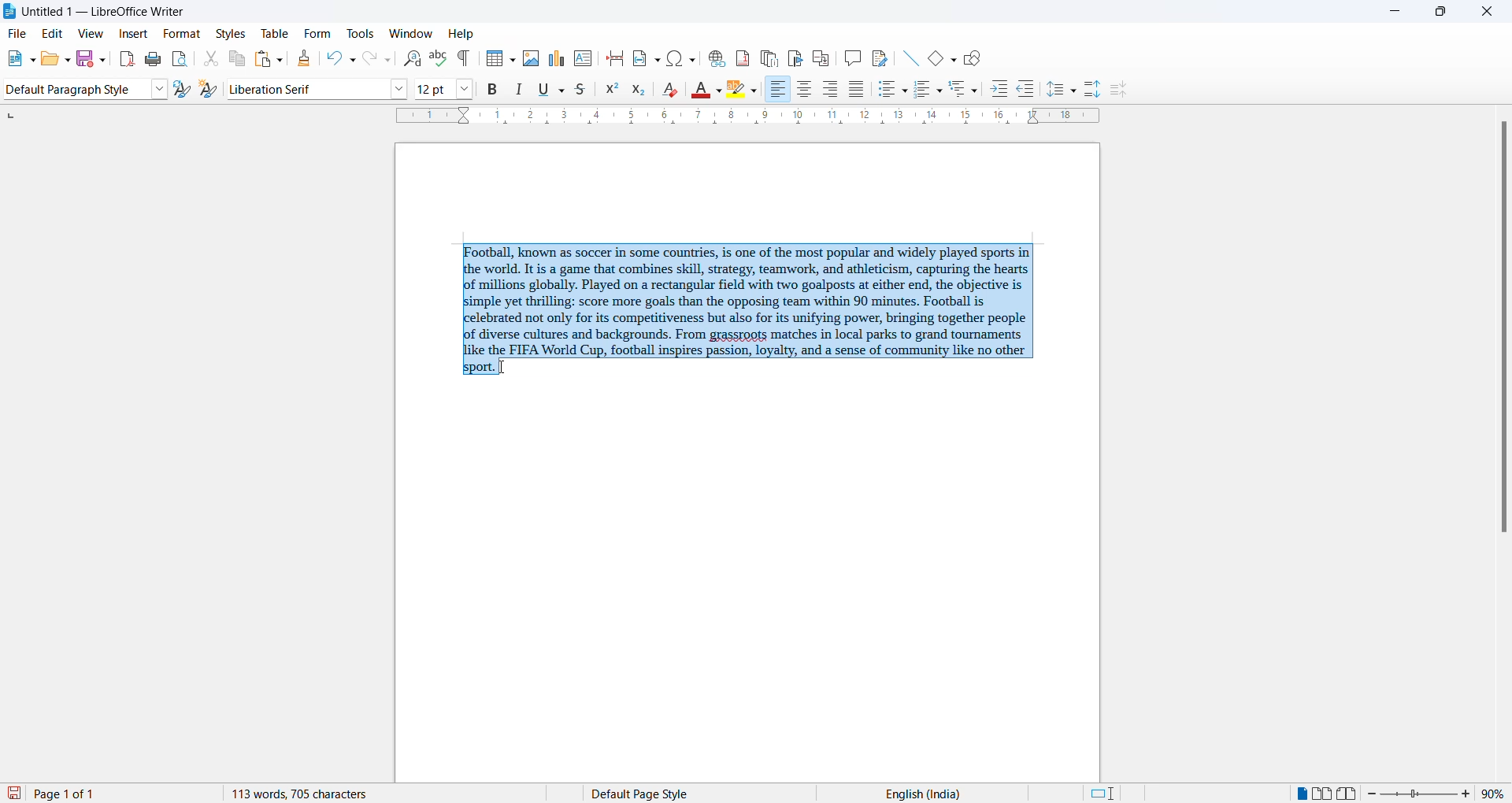 This screenshot has height=803, width=1512. What do you see at coordinates (580, 88) in the screenshot?
I see `strike through` at bounding box center [580, 88].